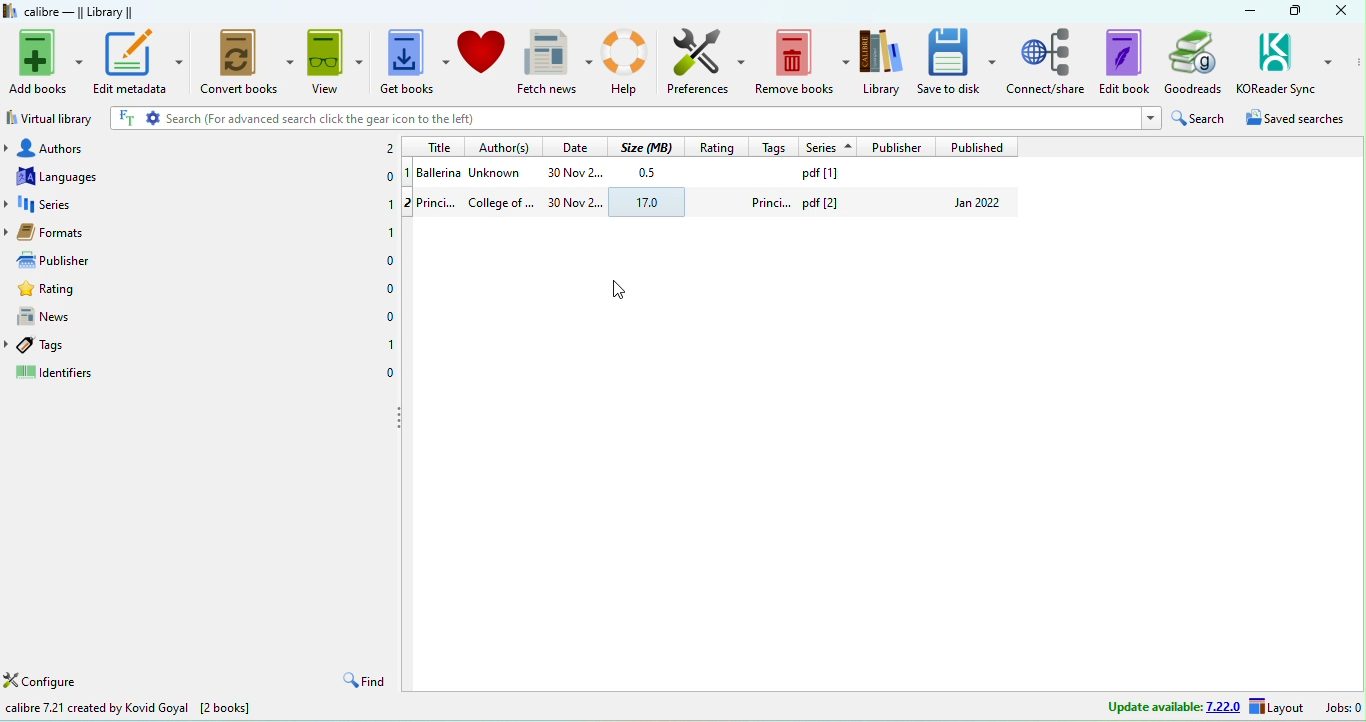 Image resolution: width=1366 pixels, height=722 pixels. I want to click on 0, so click(389, 317).